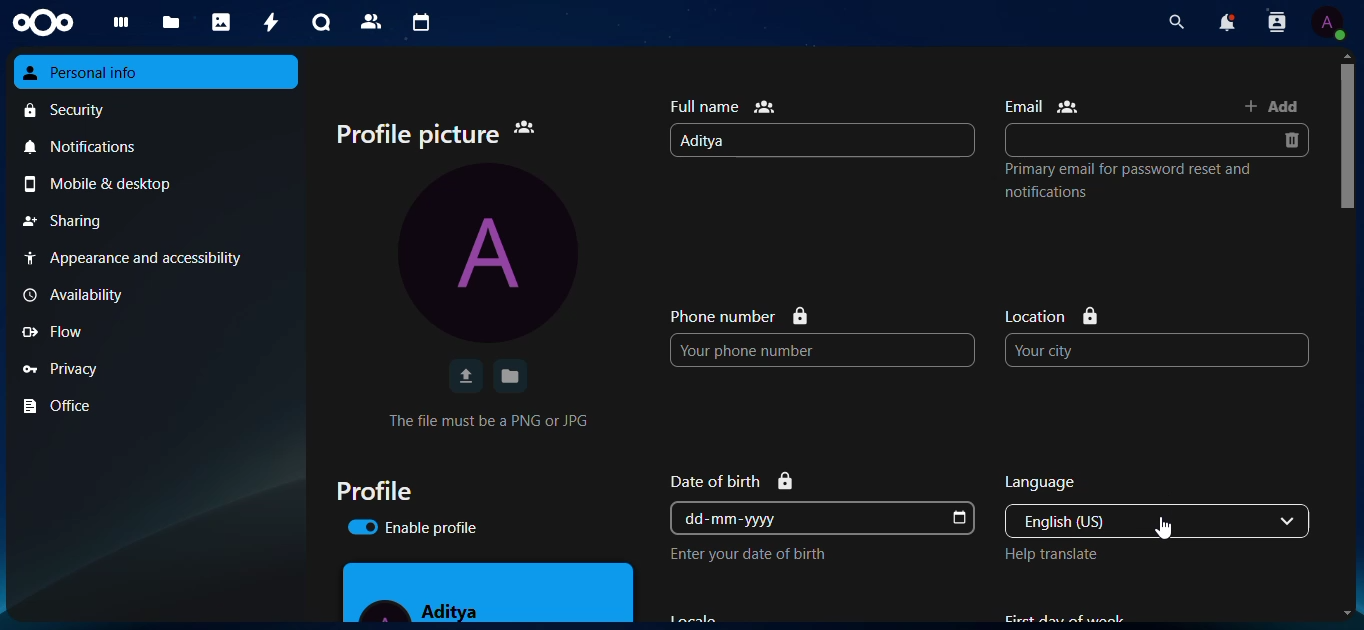 This screenshot has height=630, width=1364. Describe the element at coordinates (1291, 521) in the screenshot. I see `drop down` at that location.